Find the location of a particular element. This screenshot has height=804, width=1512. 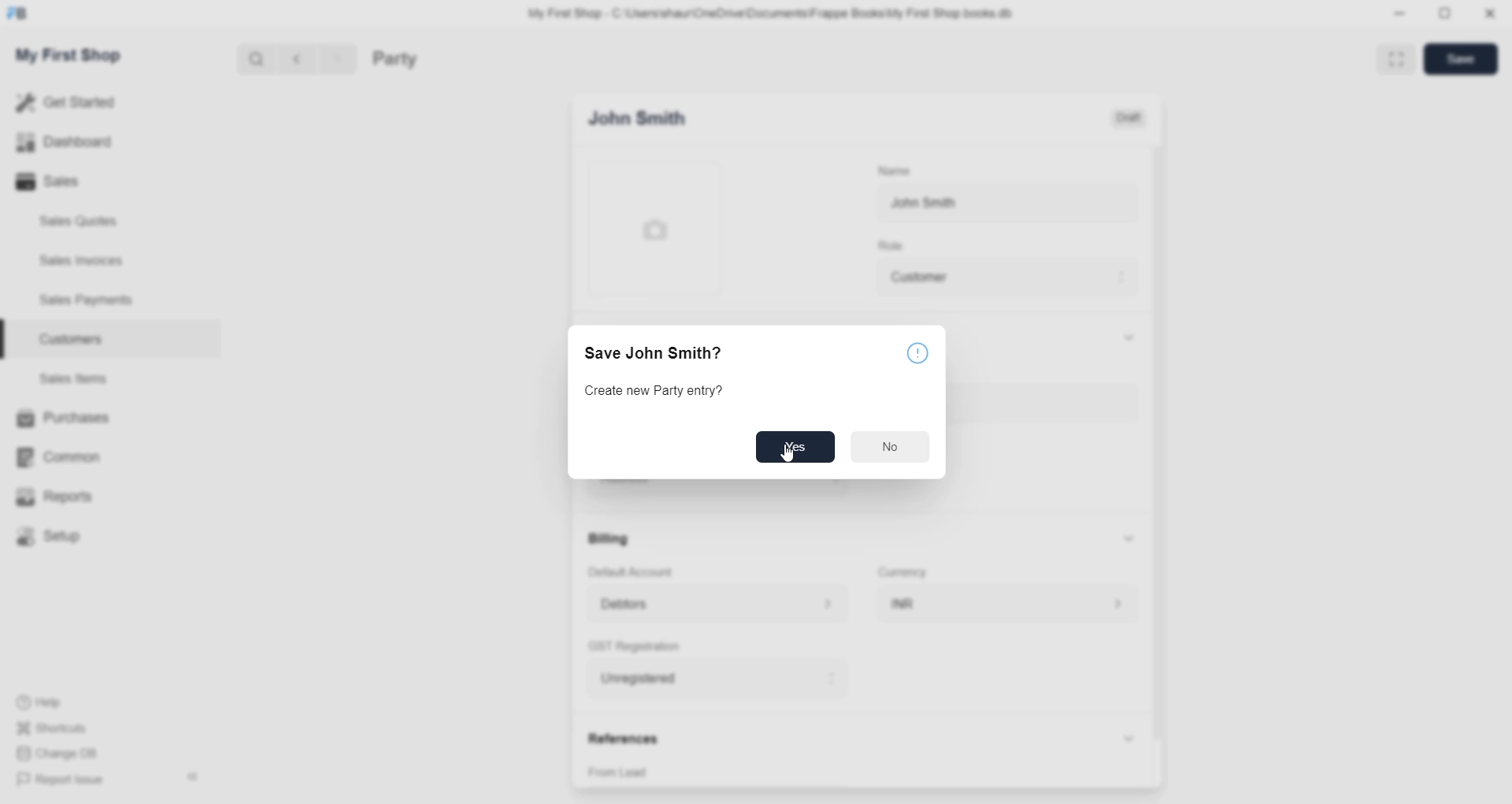

full screen is located at coordinates (1397, 60).